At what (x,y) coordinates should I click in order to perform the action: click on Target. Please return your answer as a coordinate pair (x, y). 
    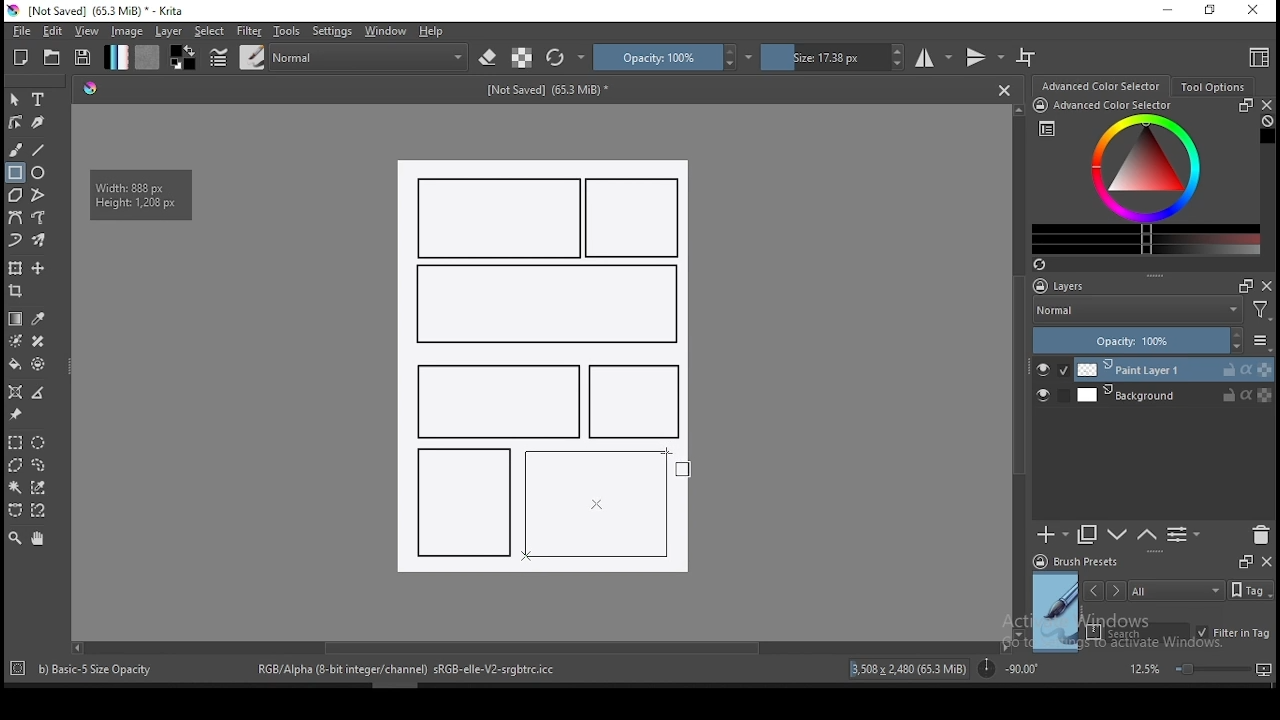
    Looking at the image, I should click on (19, 669).